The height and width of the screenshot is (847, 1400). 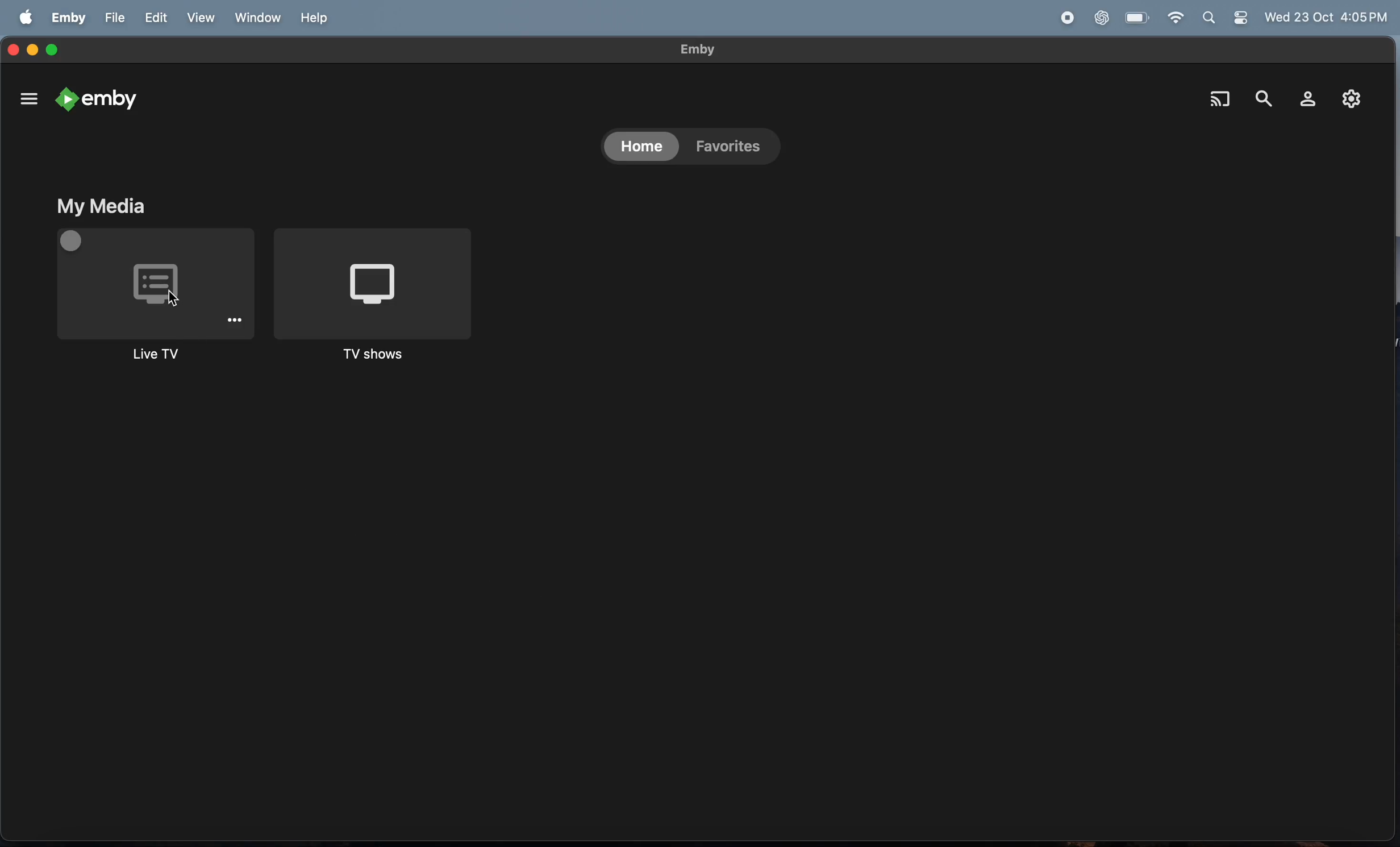 What do you see at coordinates (1174, 18) in the screenshot?
I see `wifi` at bounding box center [1174, 18].